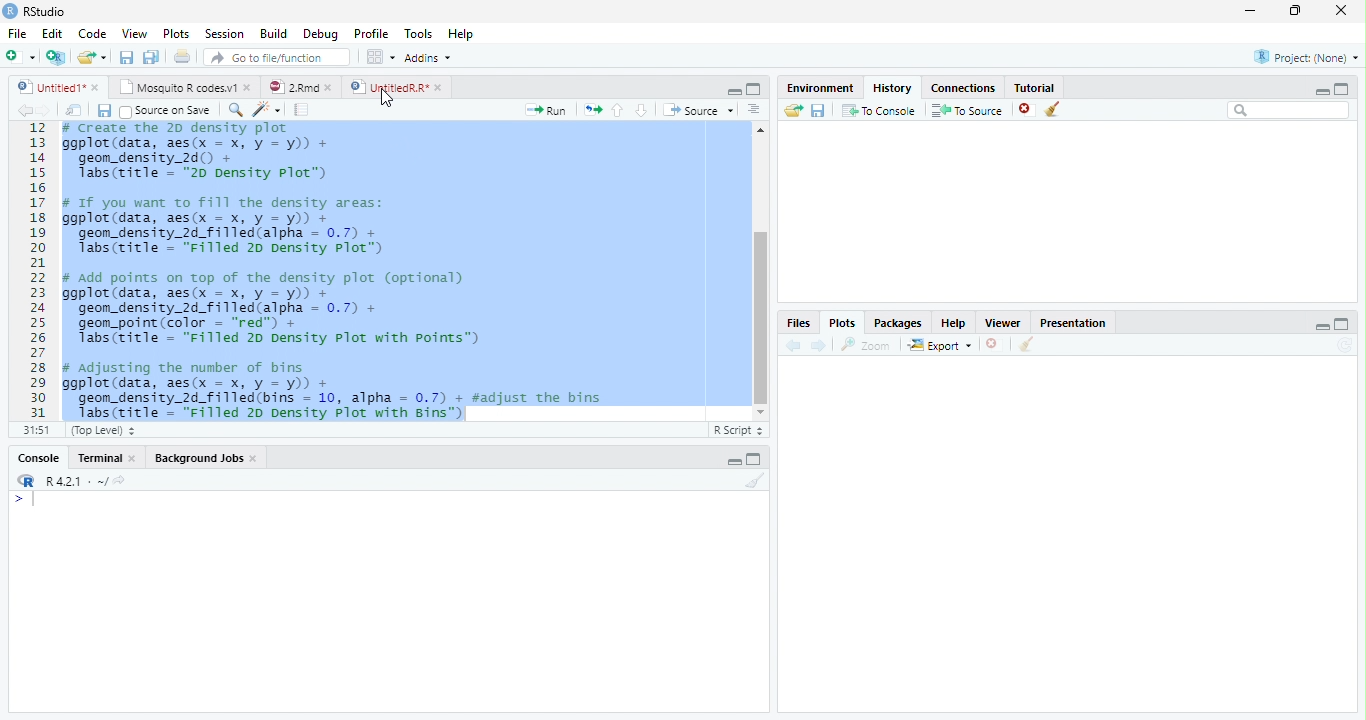 This screenshot has width=1366, height=720. Describe the element at coordinates (75, 111) in the screenshot. I see `show in window` at that location.